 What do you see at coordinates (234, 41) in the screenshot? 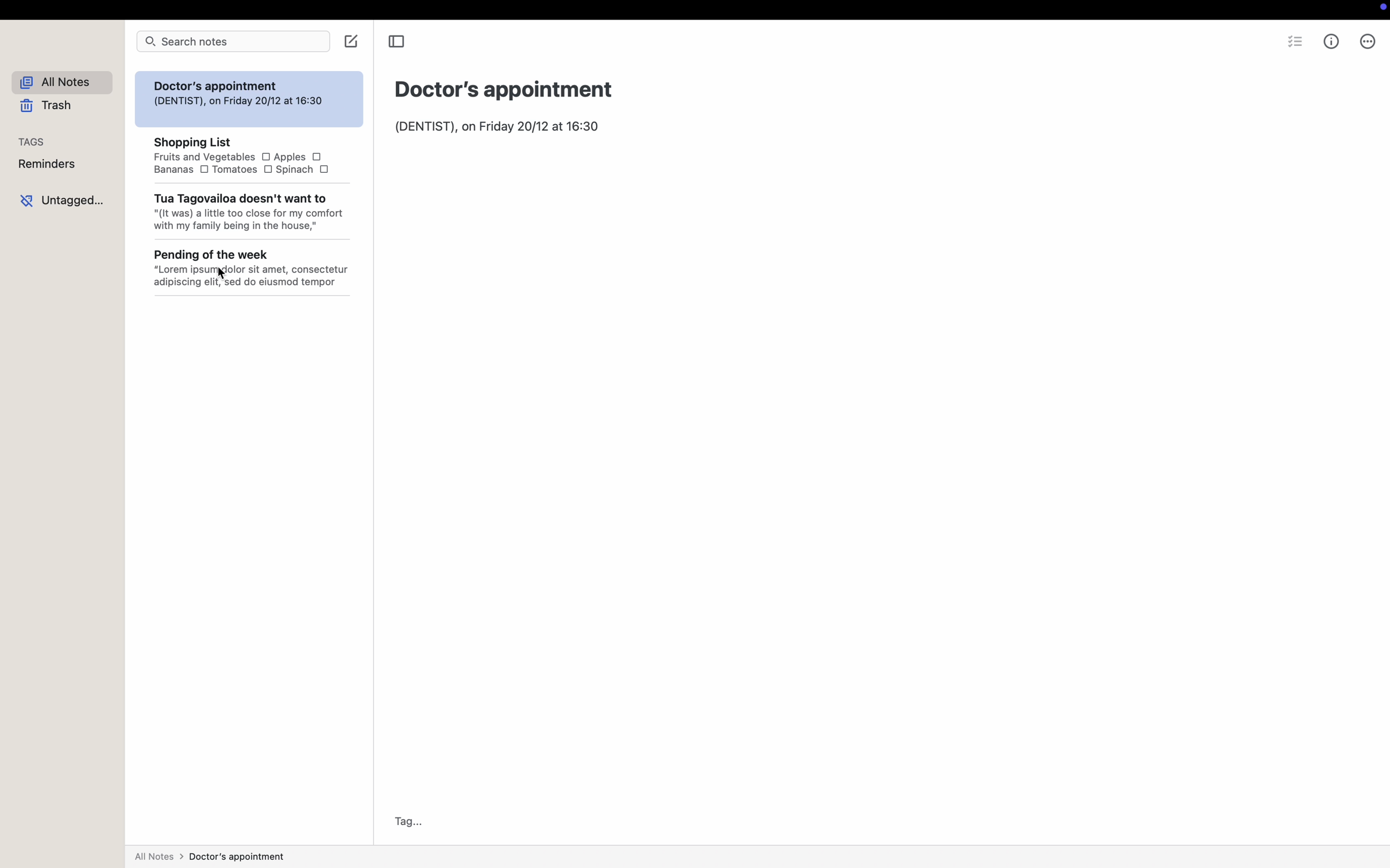
I see `search notes` at bounding box center [234, 41].